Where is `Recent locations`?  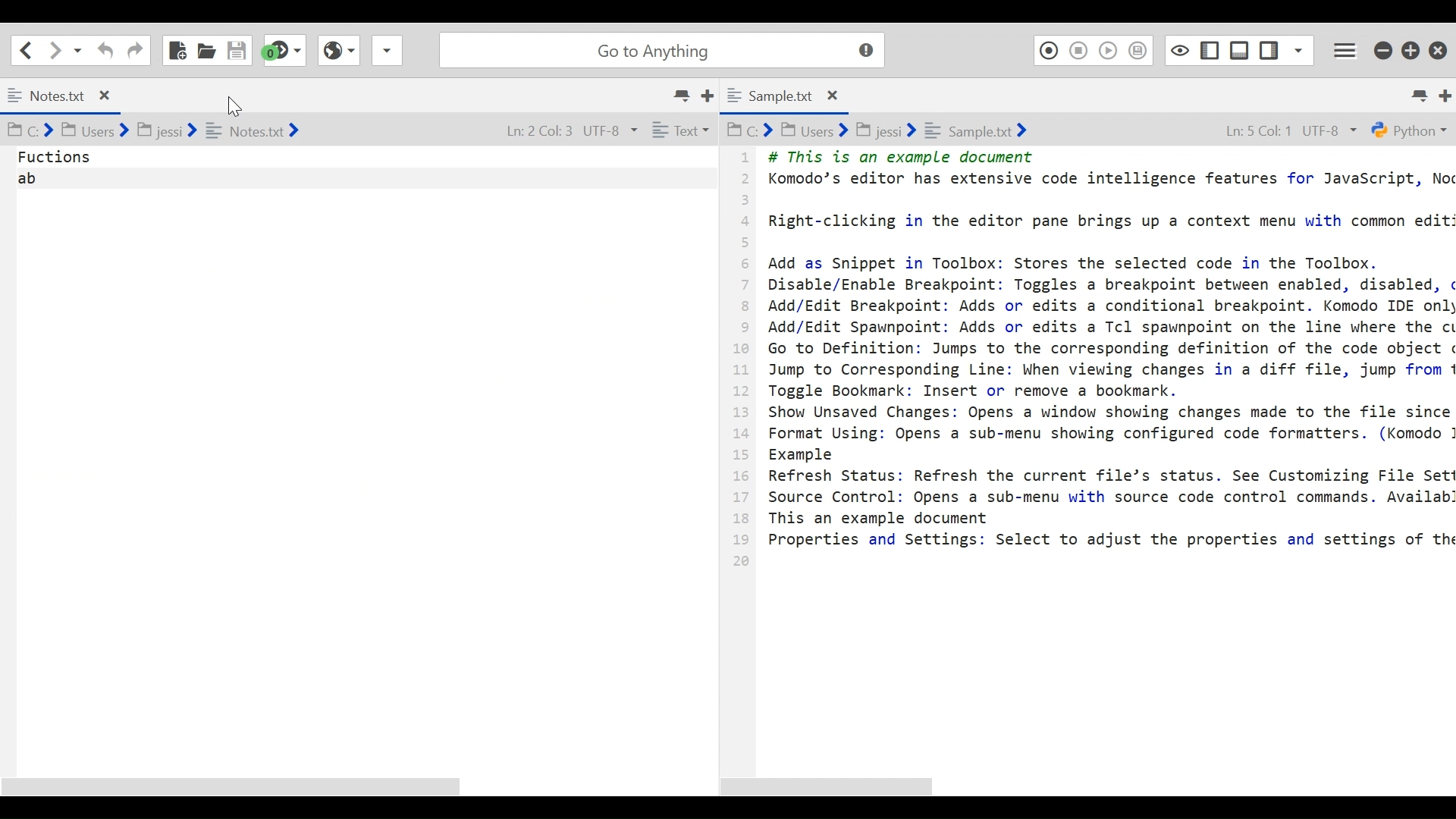 Recent locations is located at coordinates (78, 50).